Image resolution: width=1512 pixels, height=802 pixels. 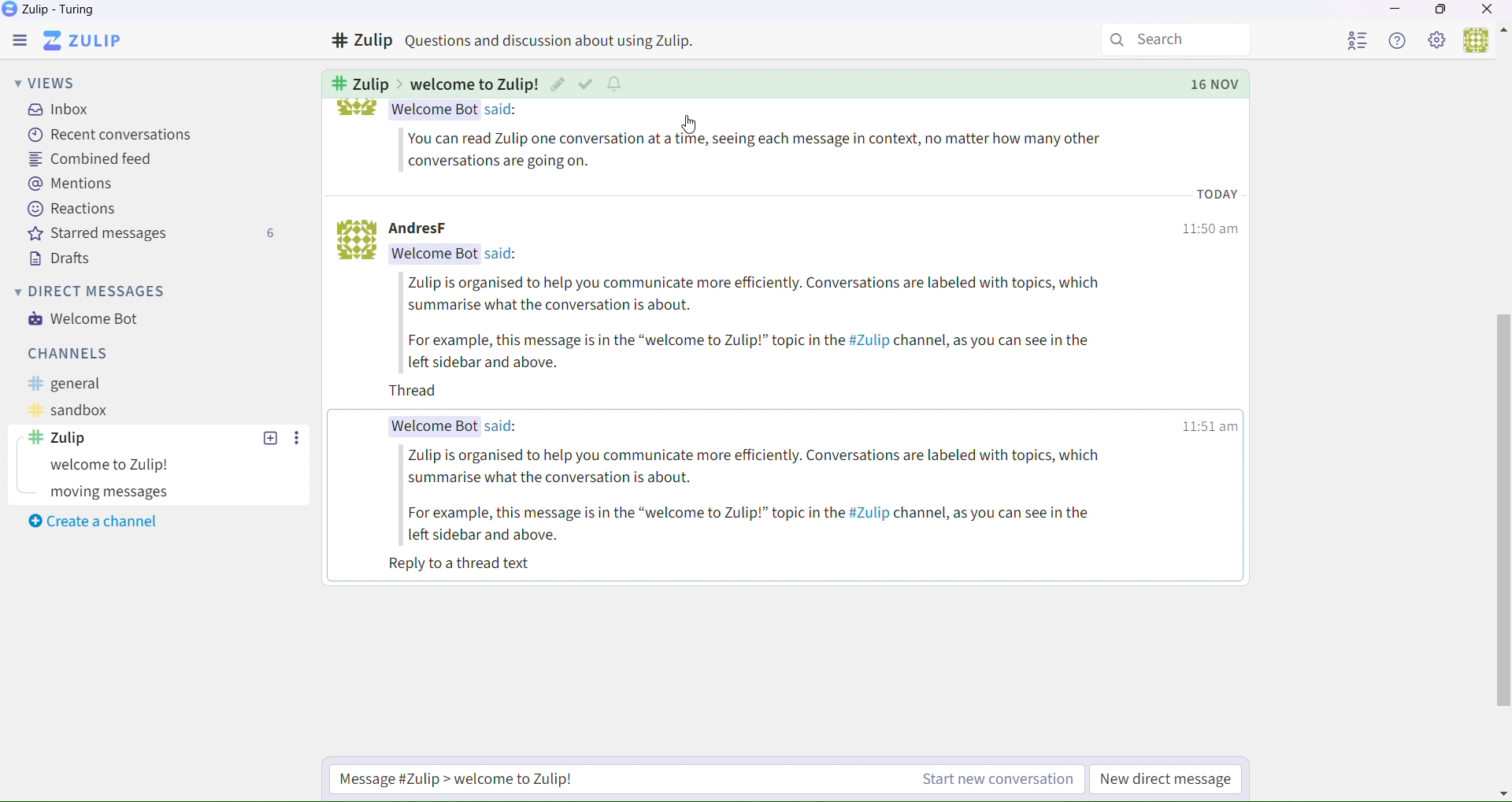 What do you see at coordinates (1476, 41) in the screenshot?
I see `Users` at bounding box center [1476, 41].